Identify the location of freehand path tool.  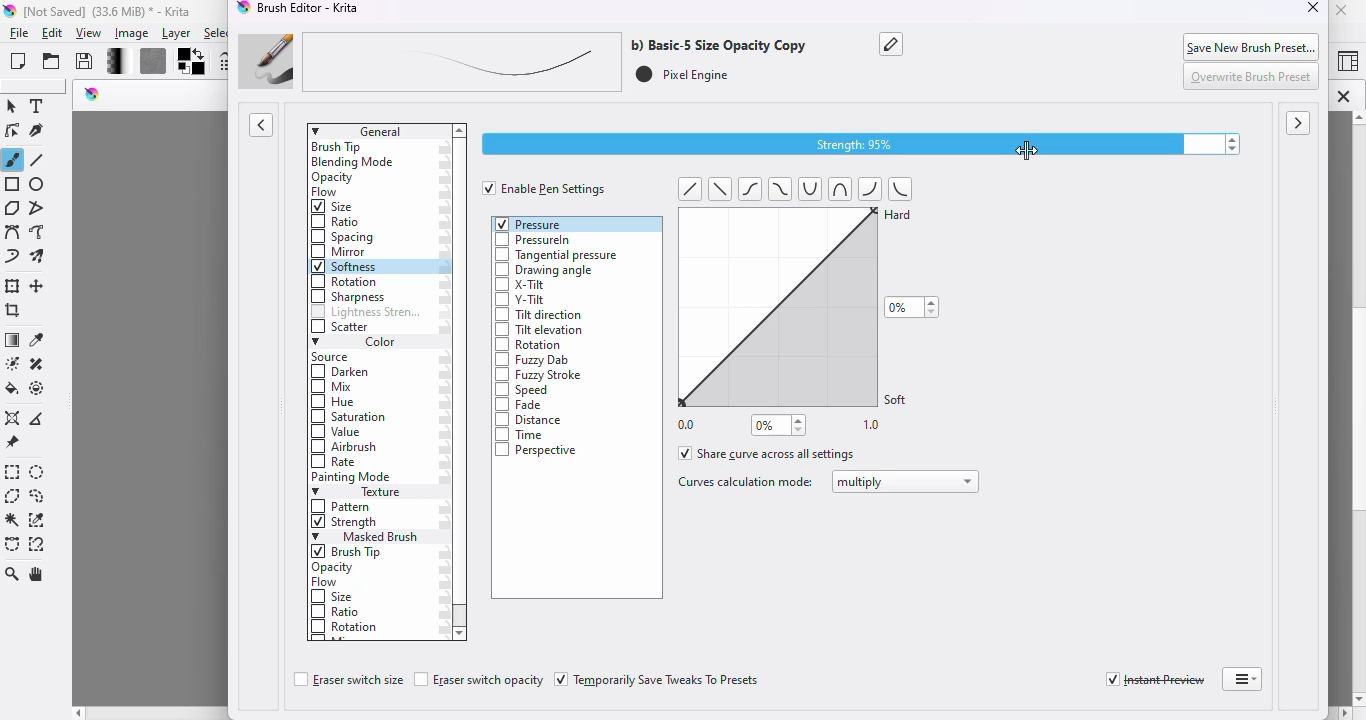
(38, 232).